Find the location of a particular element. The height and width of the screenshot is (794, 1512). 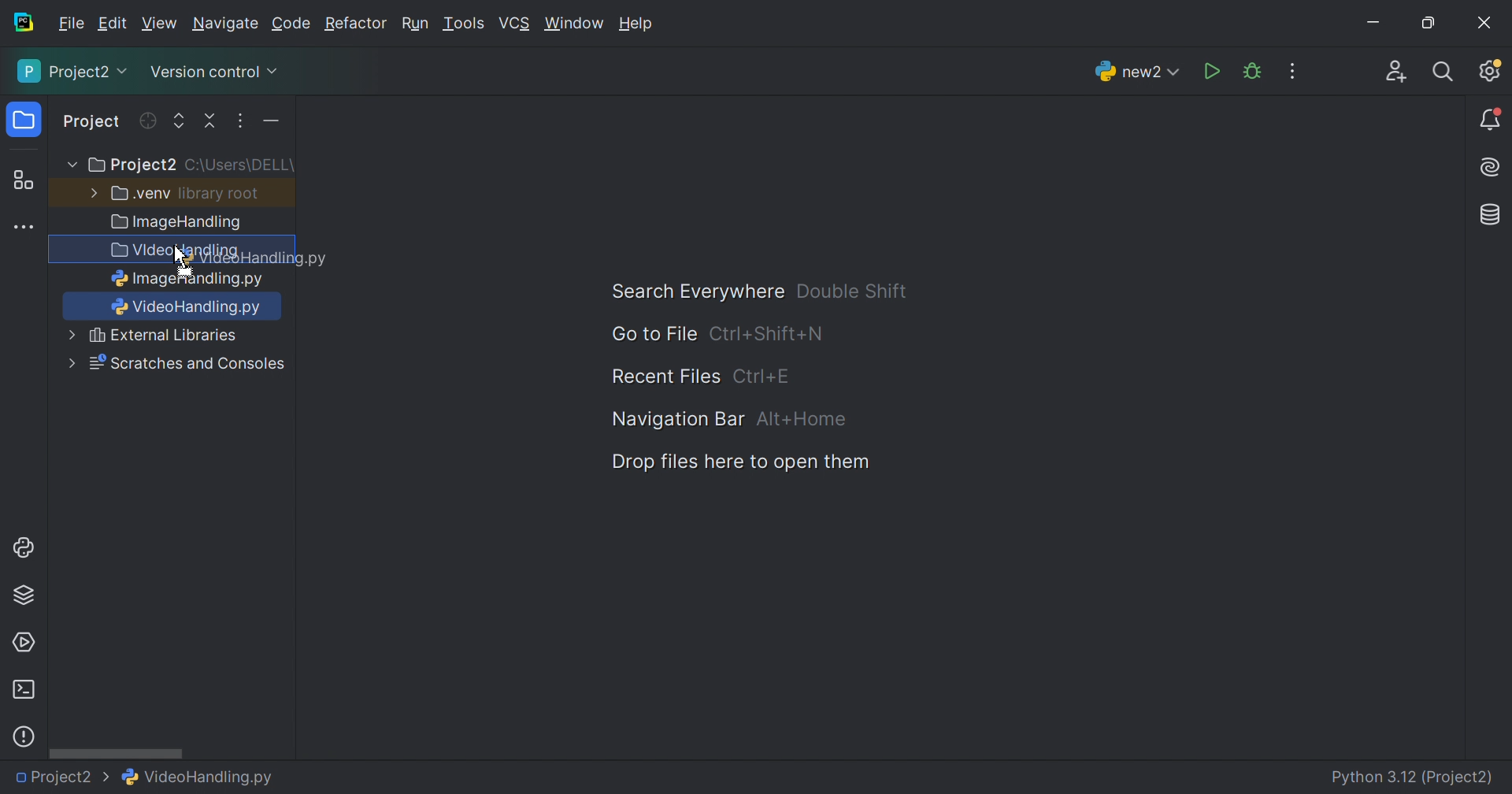

Double Shift is located at coordinates (851, 291).